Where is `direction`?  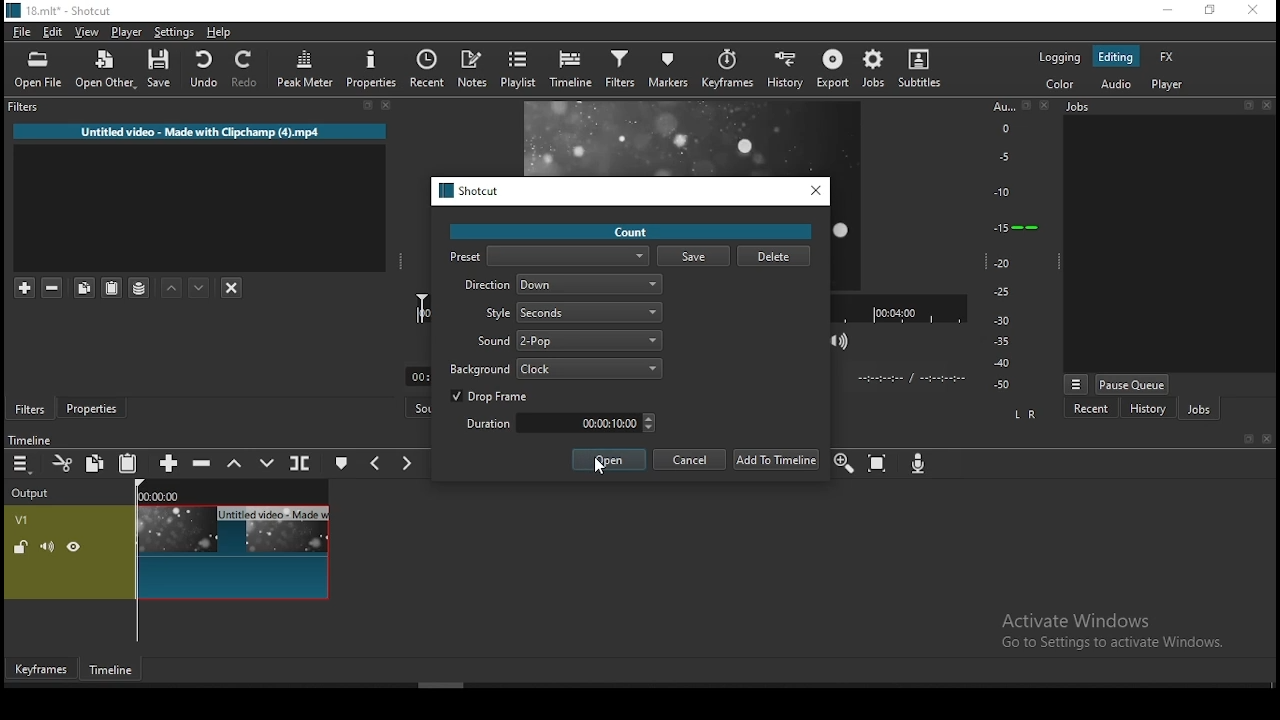
direction is located at coordinates (565, 284).